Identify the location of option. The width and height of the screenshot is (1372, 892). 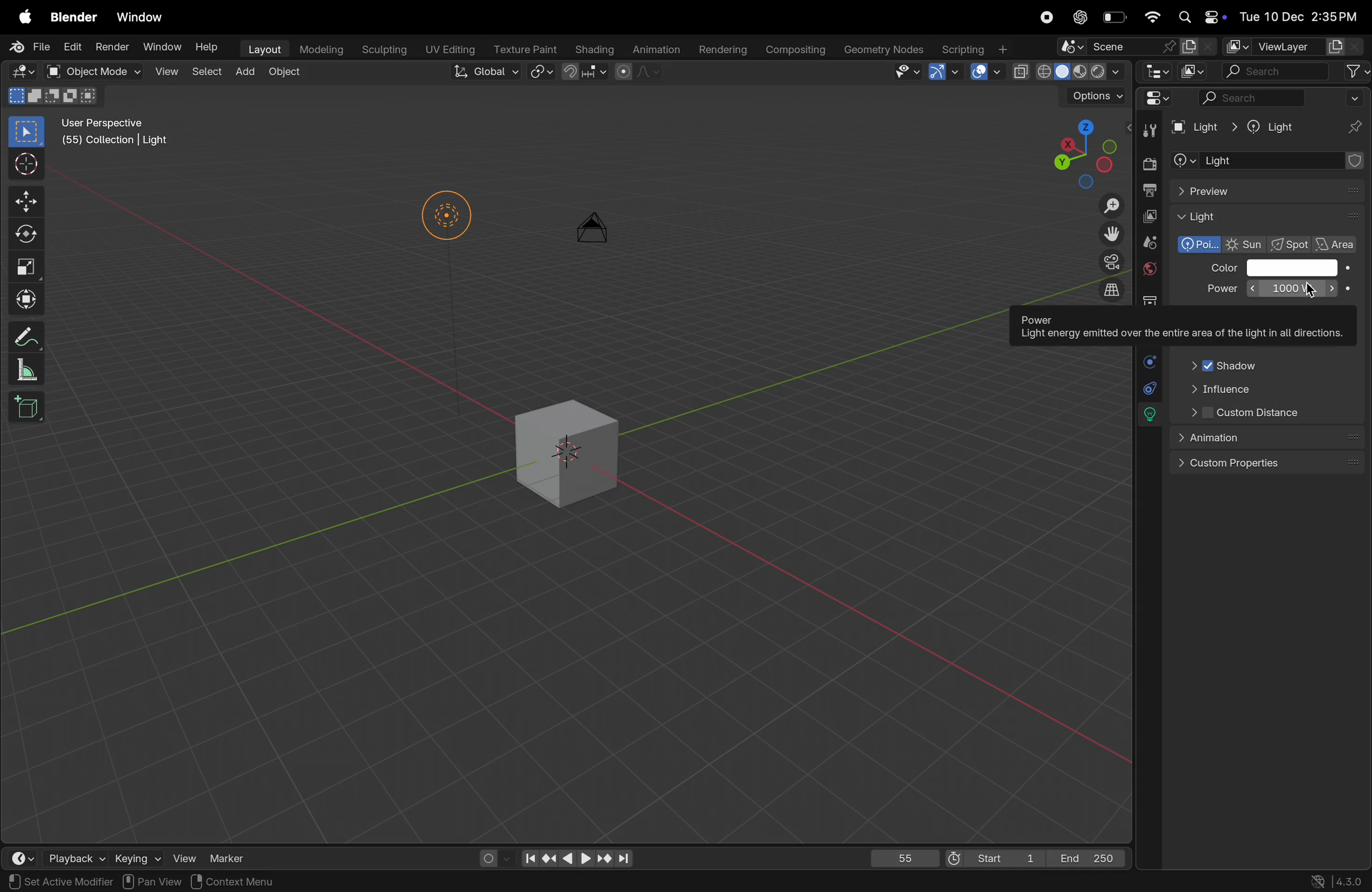
(1094, 96).